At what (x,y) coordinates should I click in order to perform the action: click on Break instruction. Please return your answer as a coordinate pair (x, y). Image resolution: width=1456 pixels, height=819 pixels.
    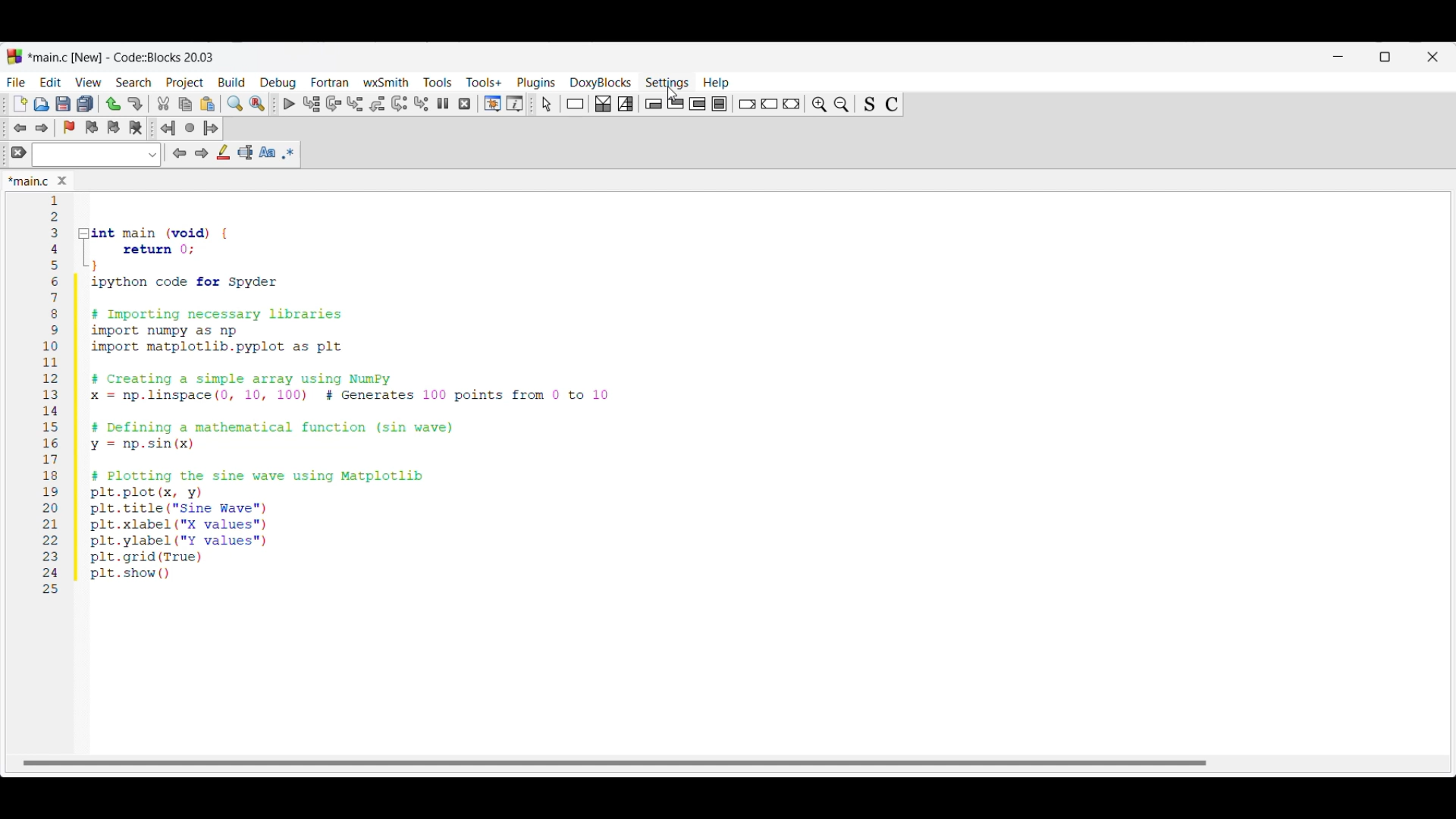
    Looking at the image, I should click on (747, 104).